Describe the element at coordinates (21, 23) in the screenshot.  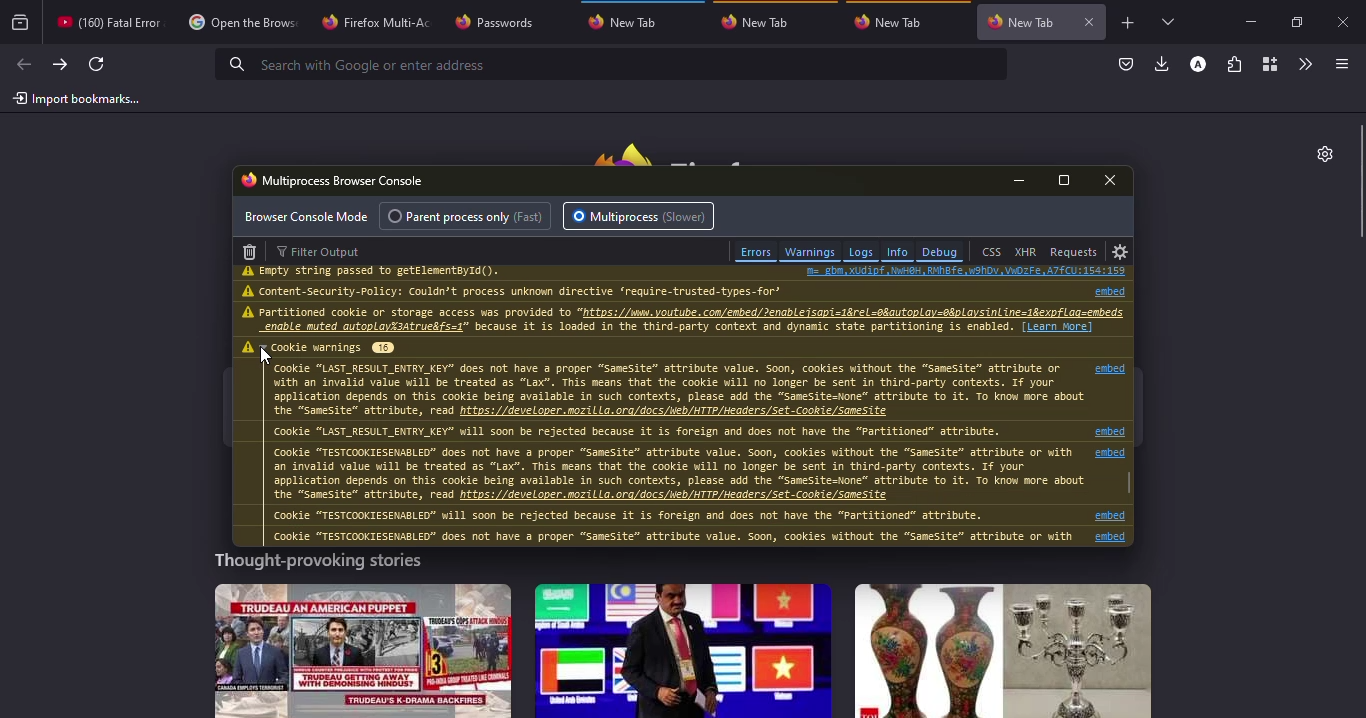
I see `view recent browsing history` at that location.